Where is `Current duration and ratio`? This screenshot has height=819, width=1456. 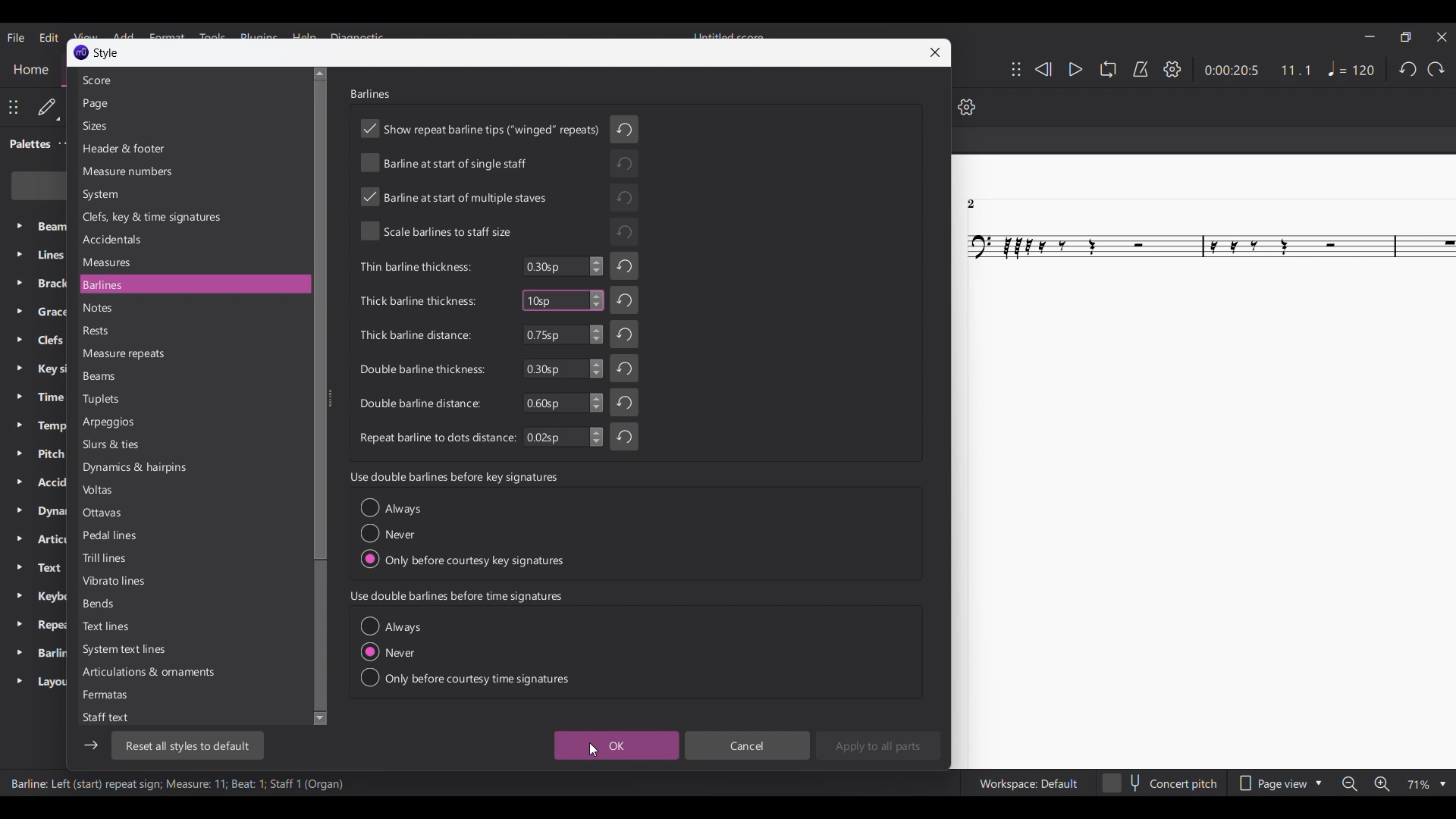
Current duration and ratio is located at coordinates (1258, 71).